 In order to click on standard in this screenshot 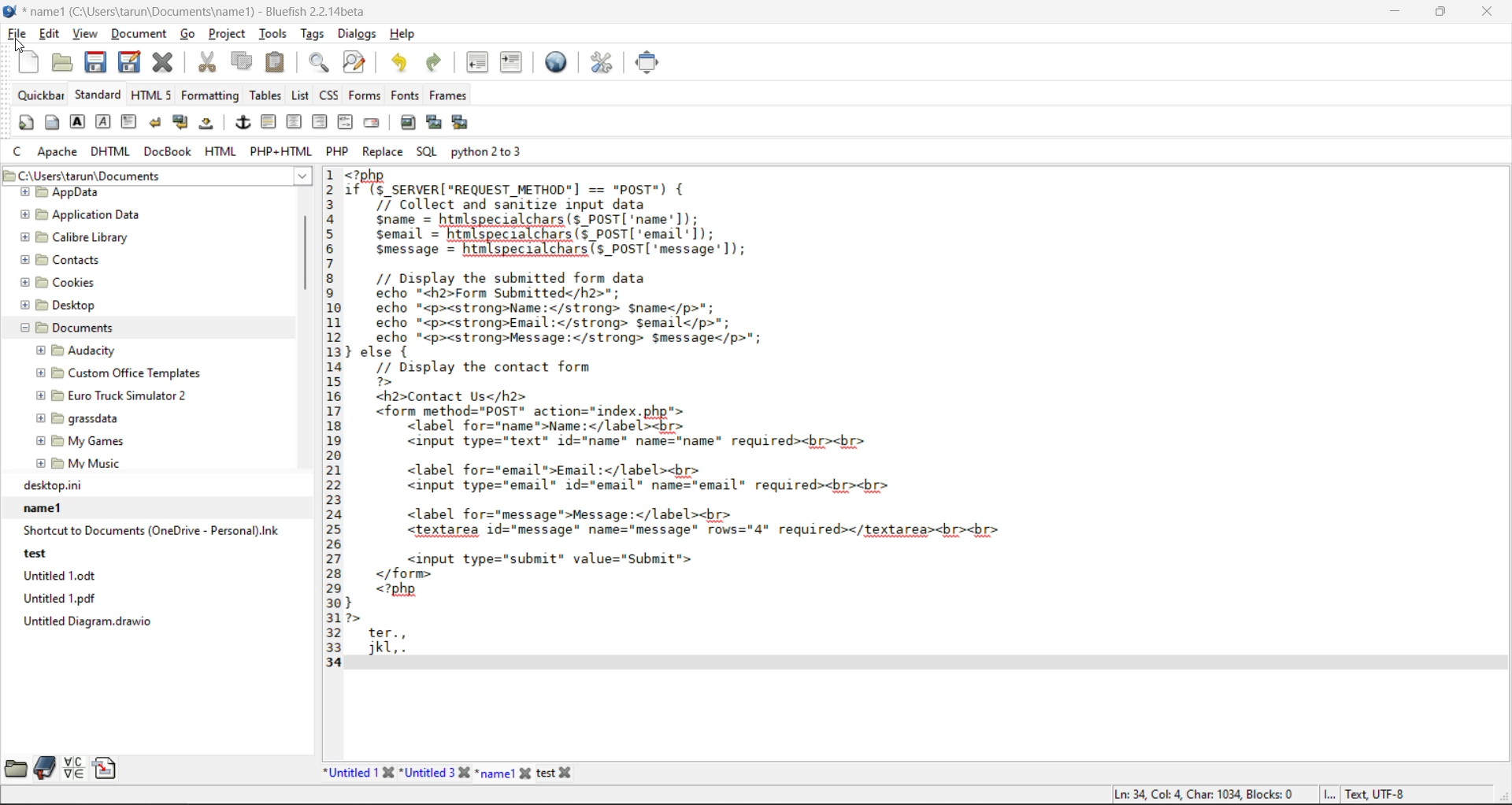, I will do `click(99, 97)`.